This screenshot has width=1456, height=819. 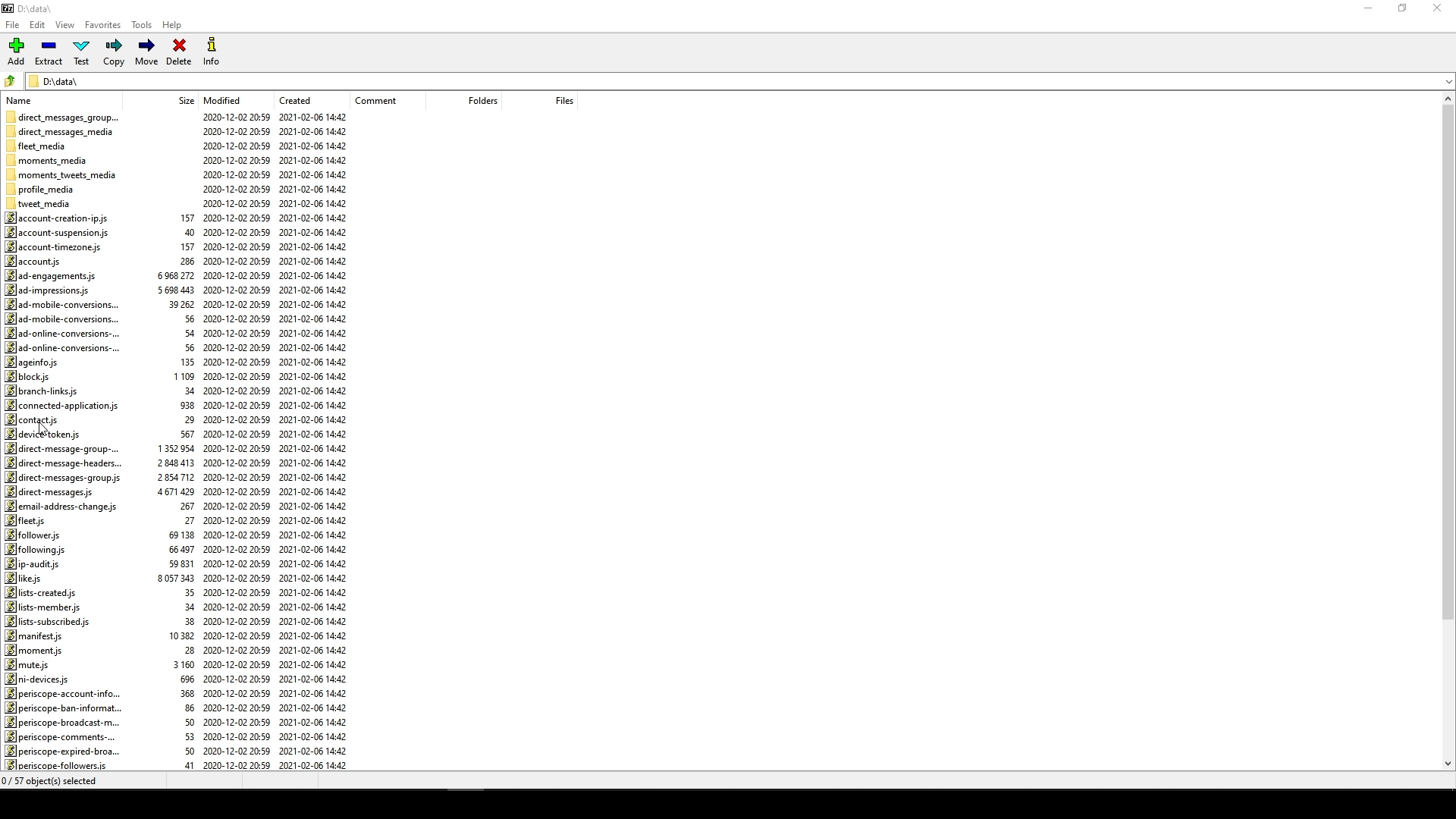 What do you see at coordinates (294, 99) in the screenshot?
I see `created` at bounding box center [294, 99].